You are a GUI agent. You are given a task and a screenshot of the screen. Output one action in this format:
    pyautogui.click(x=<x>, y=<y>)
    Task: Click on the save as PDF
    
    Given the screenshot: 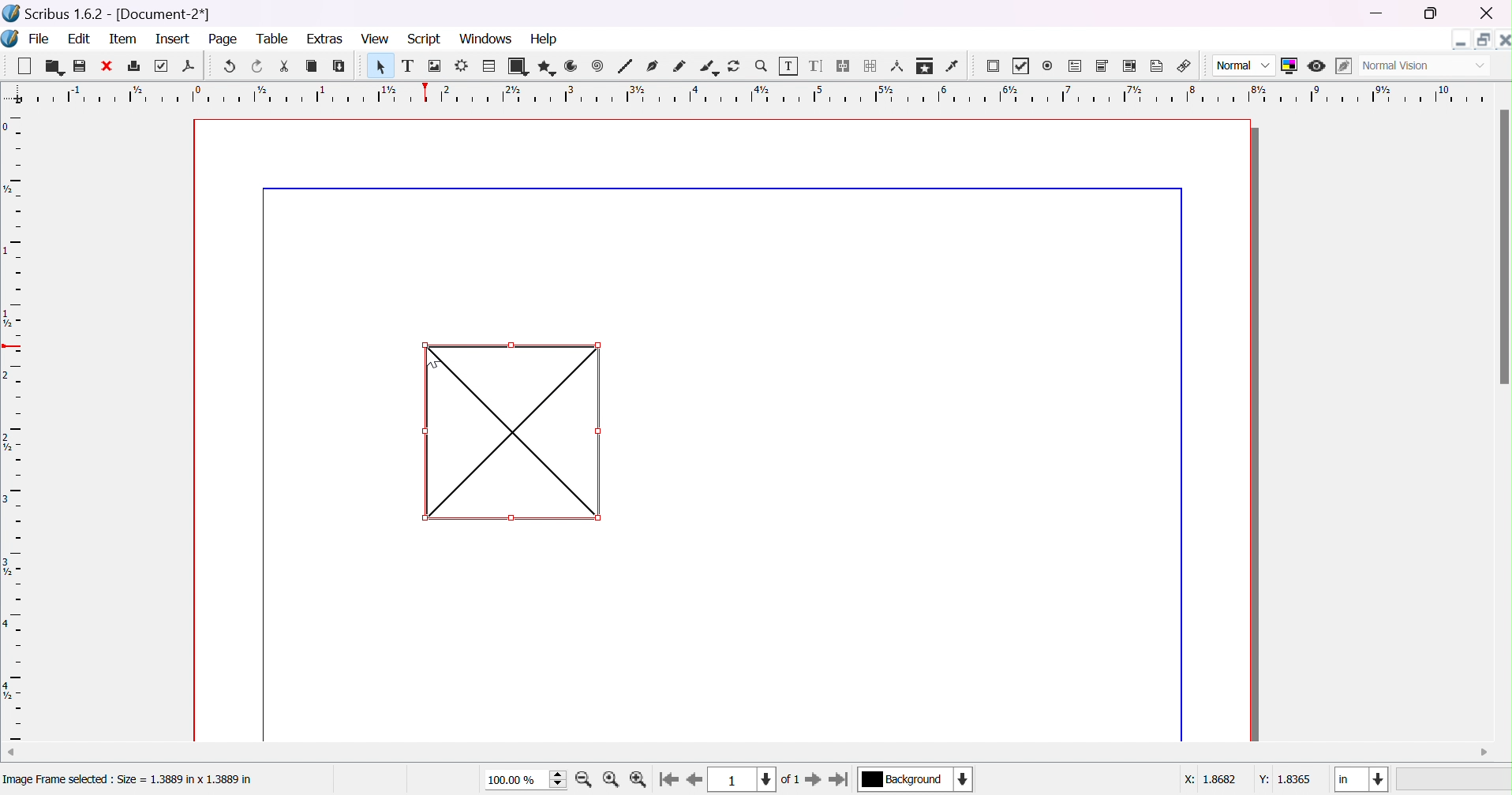 What is the action you would take?
    pyautogui.click(x=188, y=68)
    